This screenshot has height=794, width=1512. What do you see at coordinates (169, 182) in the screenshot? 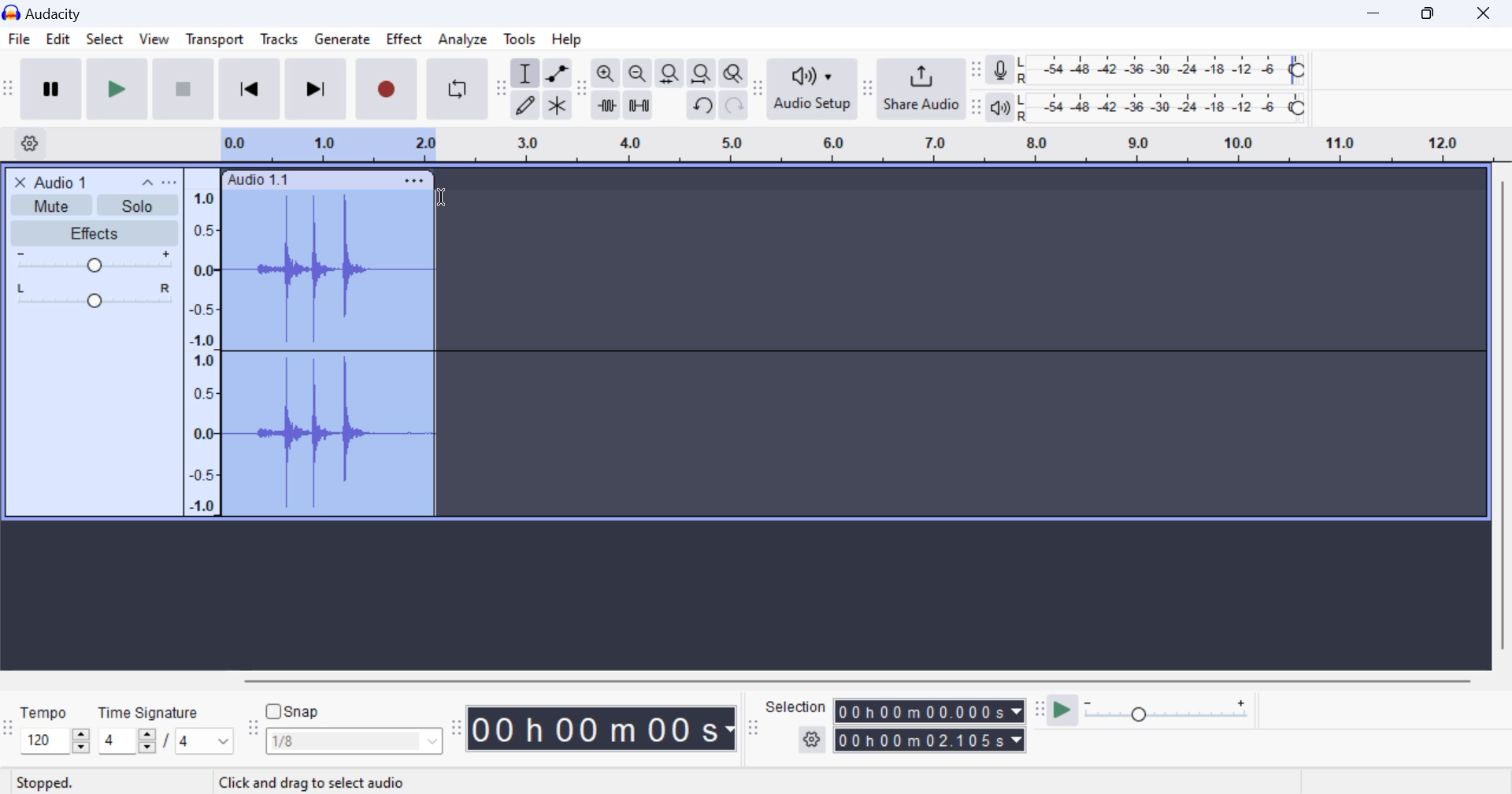
I see `open menu` at bounding box center [169, 182].